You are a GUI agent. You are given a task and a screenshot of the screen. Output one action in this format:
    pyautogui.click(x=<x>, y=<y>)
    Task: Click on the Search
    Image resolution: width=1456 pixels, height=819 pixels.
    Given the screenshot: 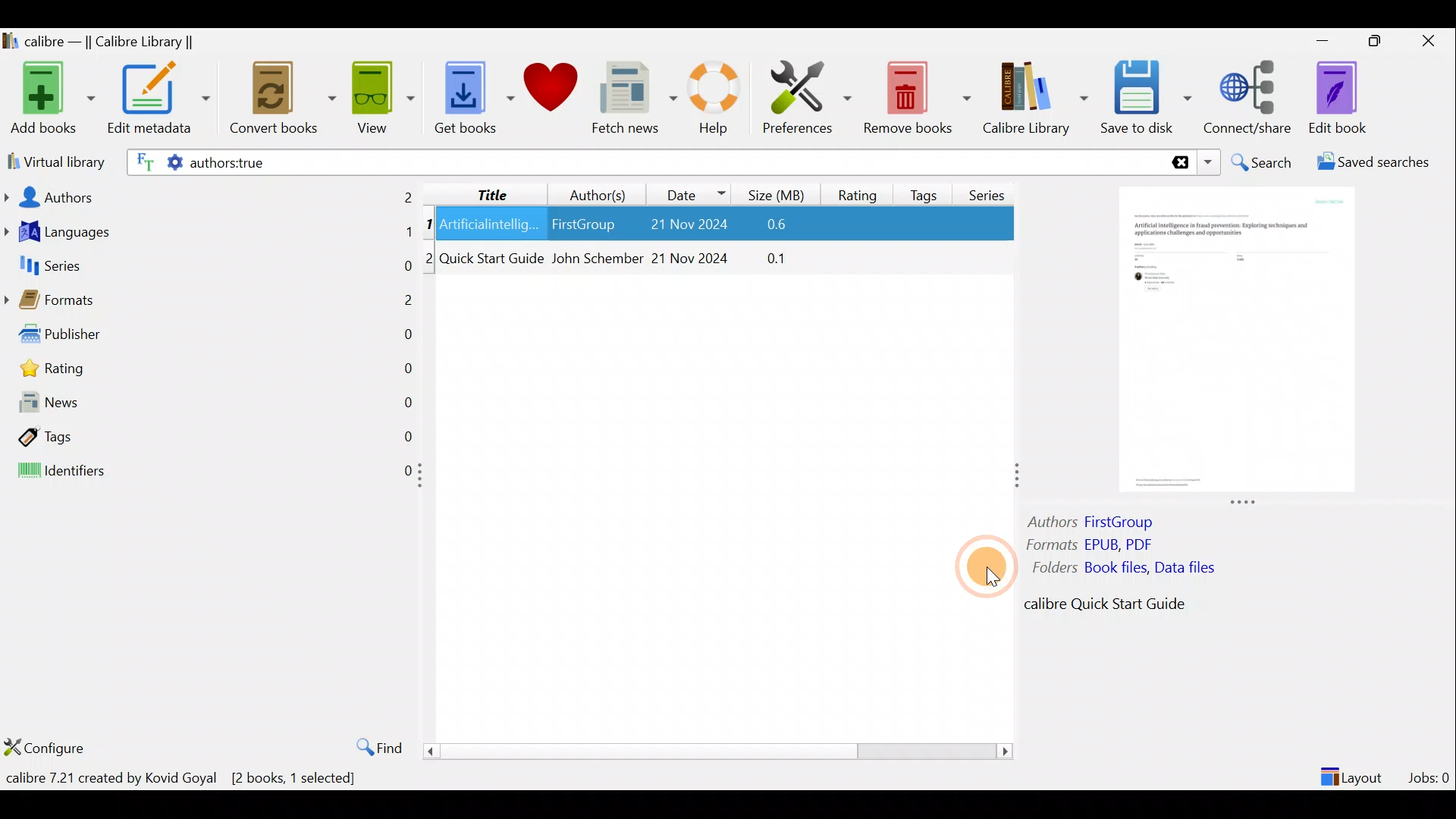 What is the action you would take?
    pyautogui.click(x=1263, y=162)
    